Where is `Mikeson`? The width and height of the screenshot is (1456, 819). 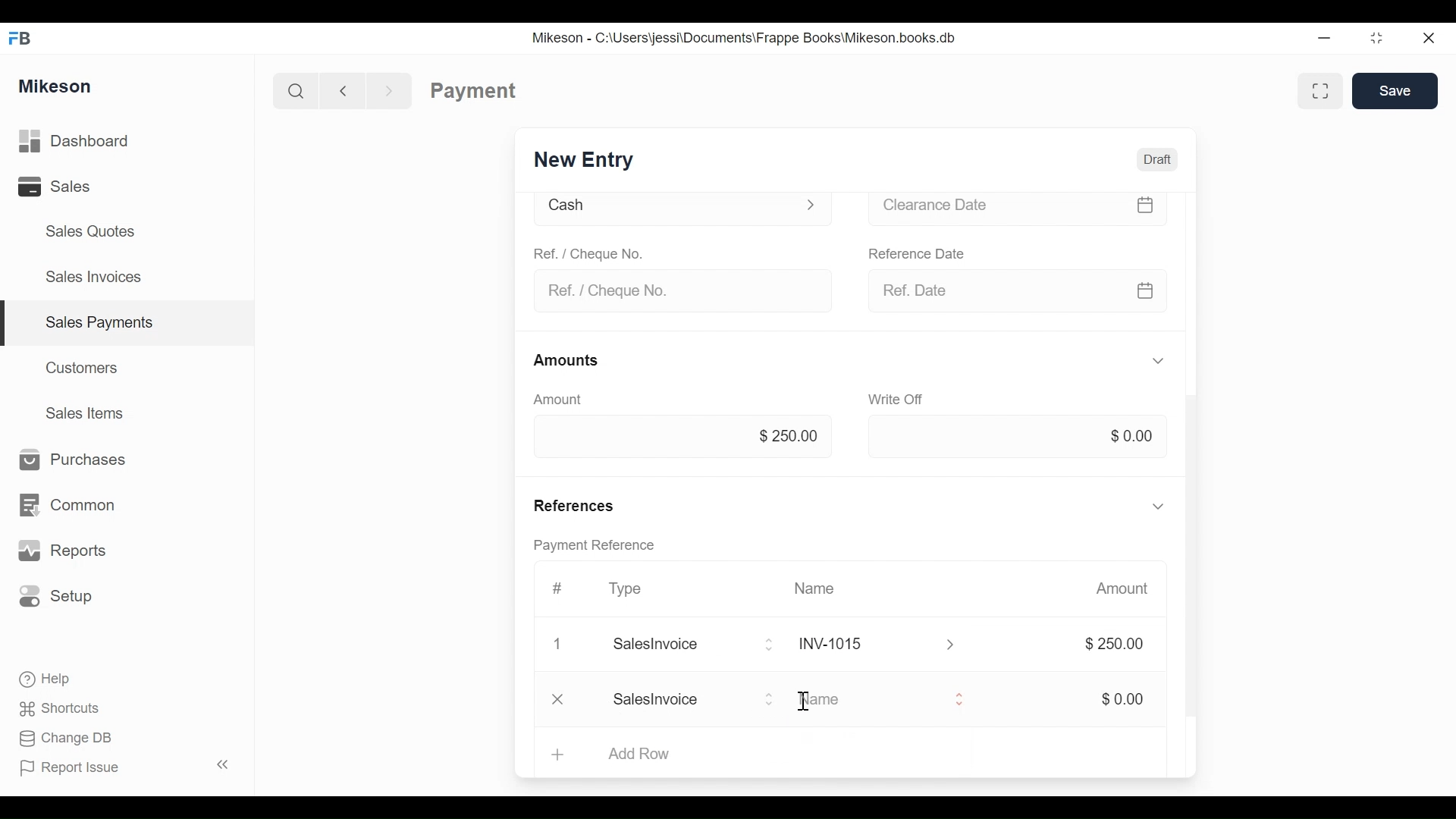 Mikeson is located at coordinates (56, 84).